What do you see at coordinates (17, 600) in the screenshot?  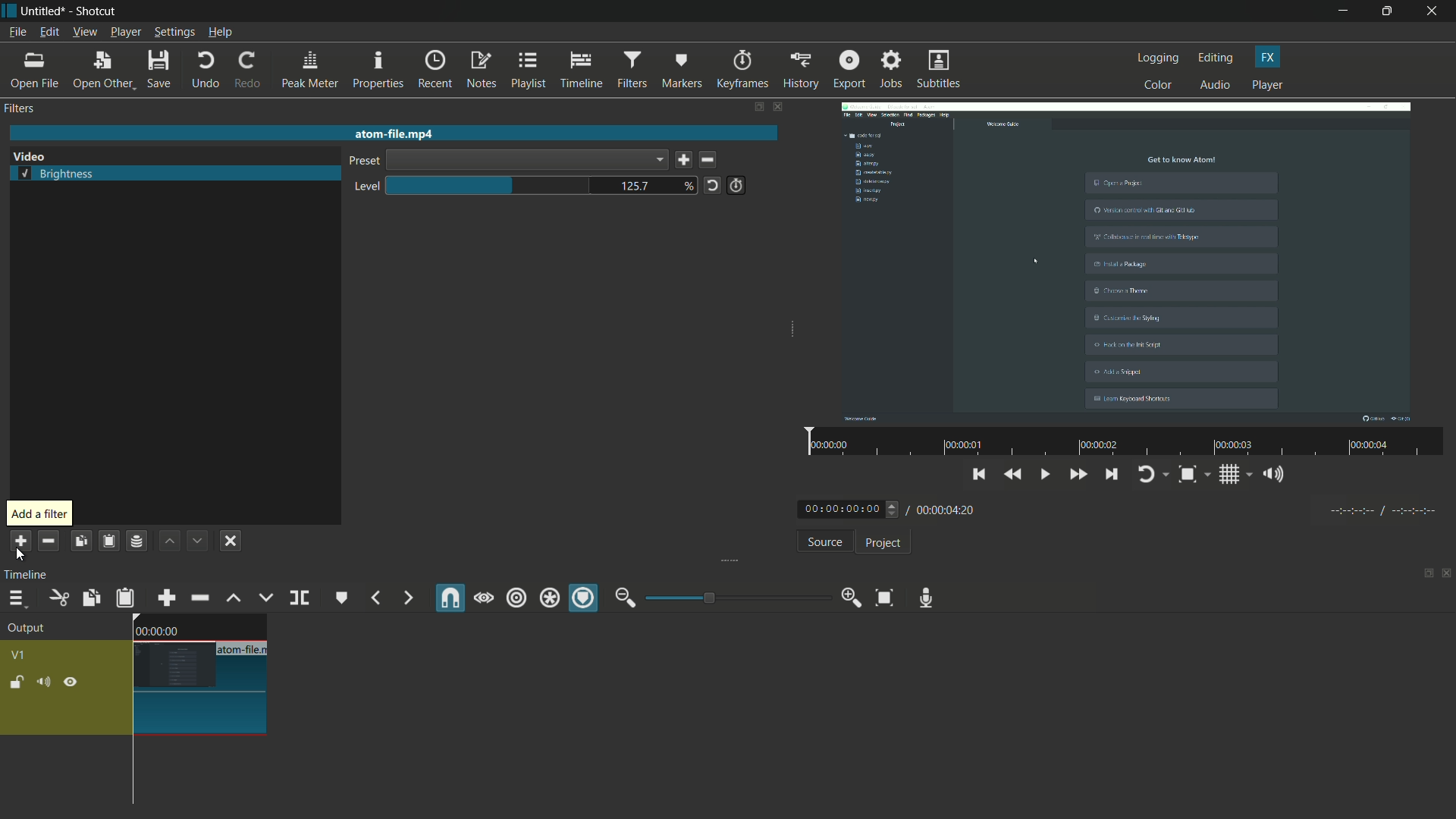 I see `timeline menu` at bounding box center [17, 600].